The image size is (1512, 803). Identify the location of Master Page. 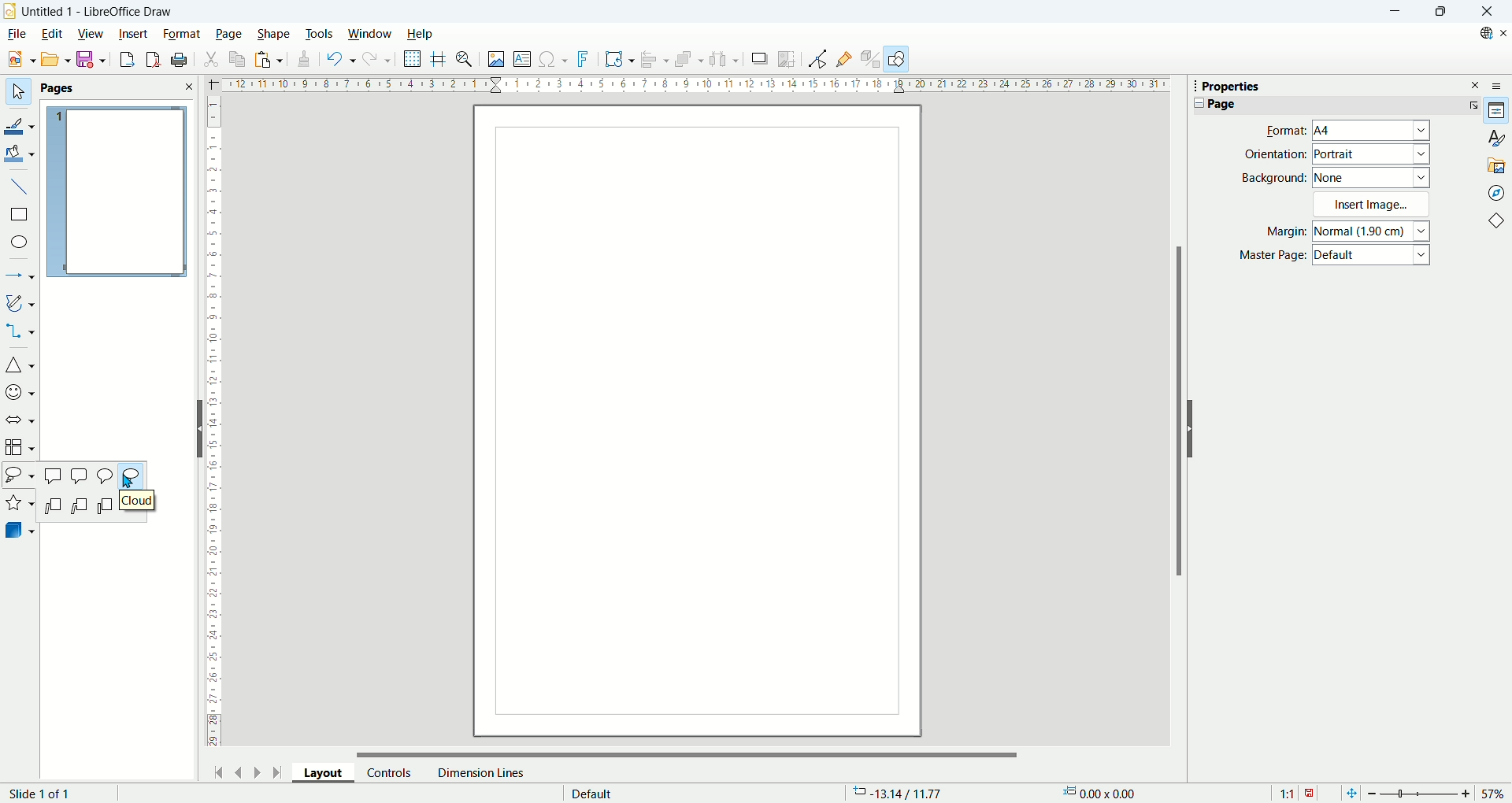
(1273, 256).